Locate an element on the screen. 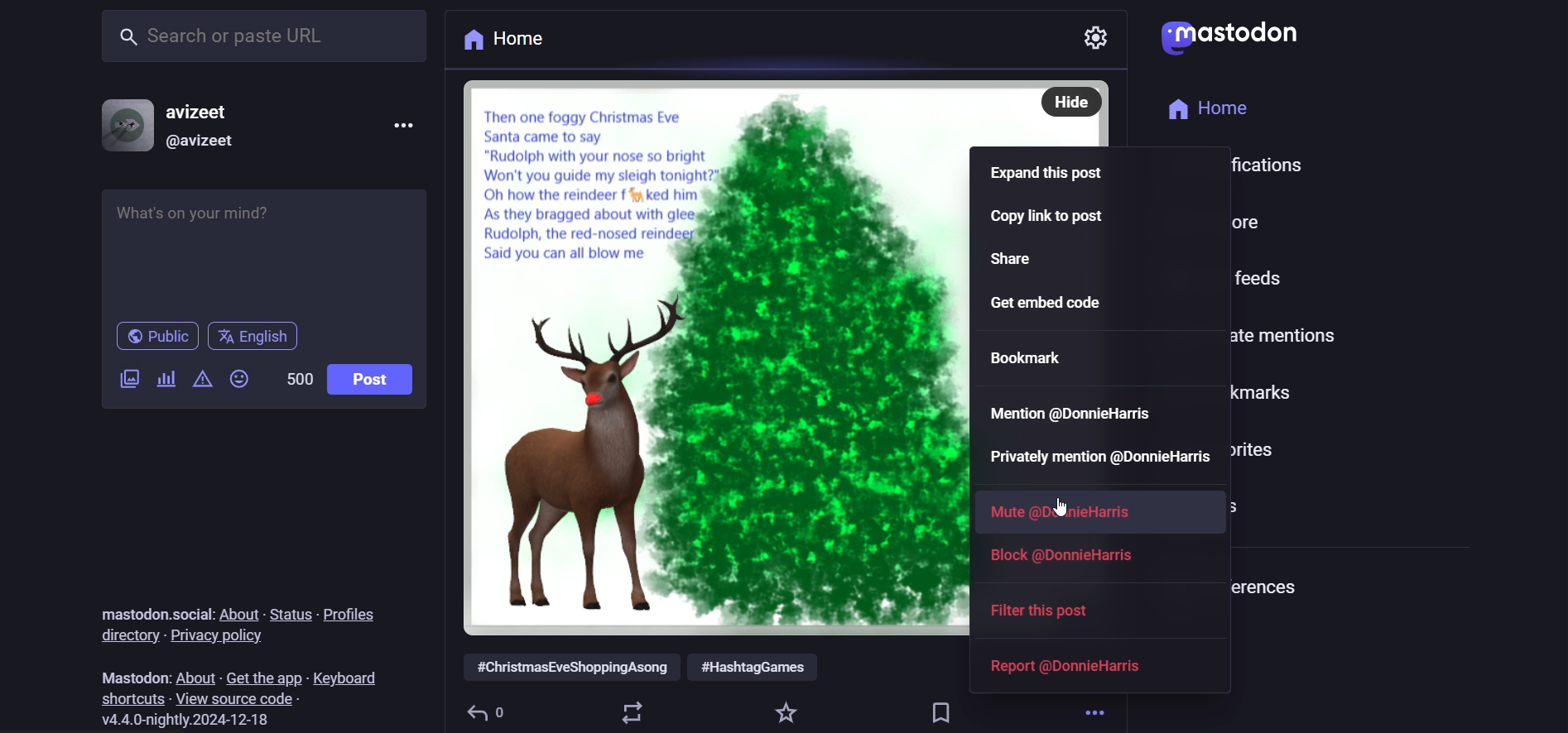  image/video is located at coordinates (127, 378).